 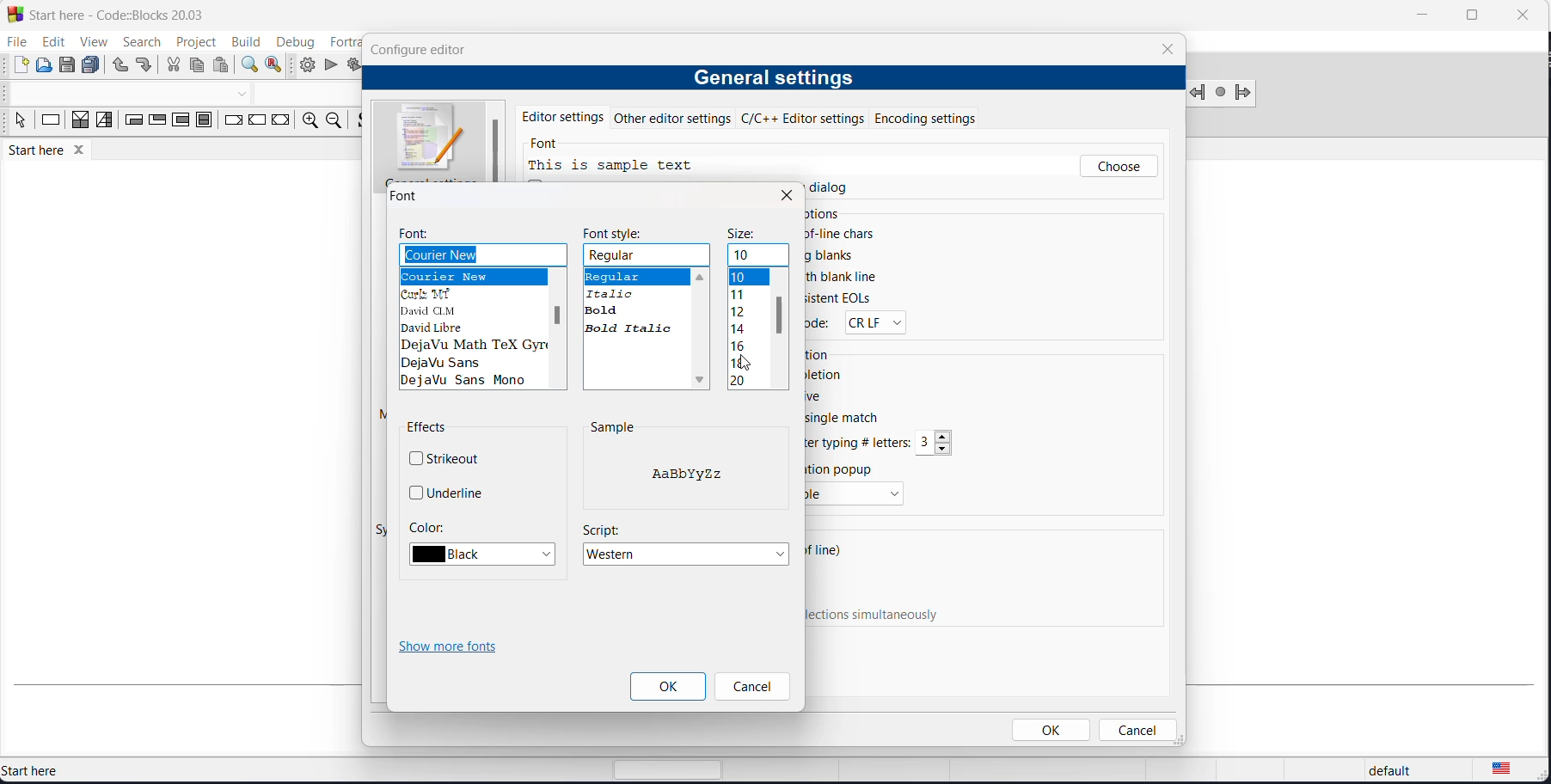 I want to click on scrollbar, so click(x=781, y=315).